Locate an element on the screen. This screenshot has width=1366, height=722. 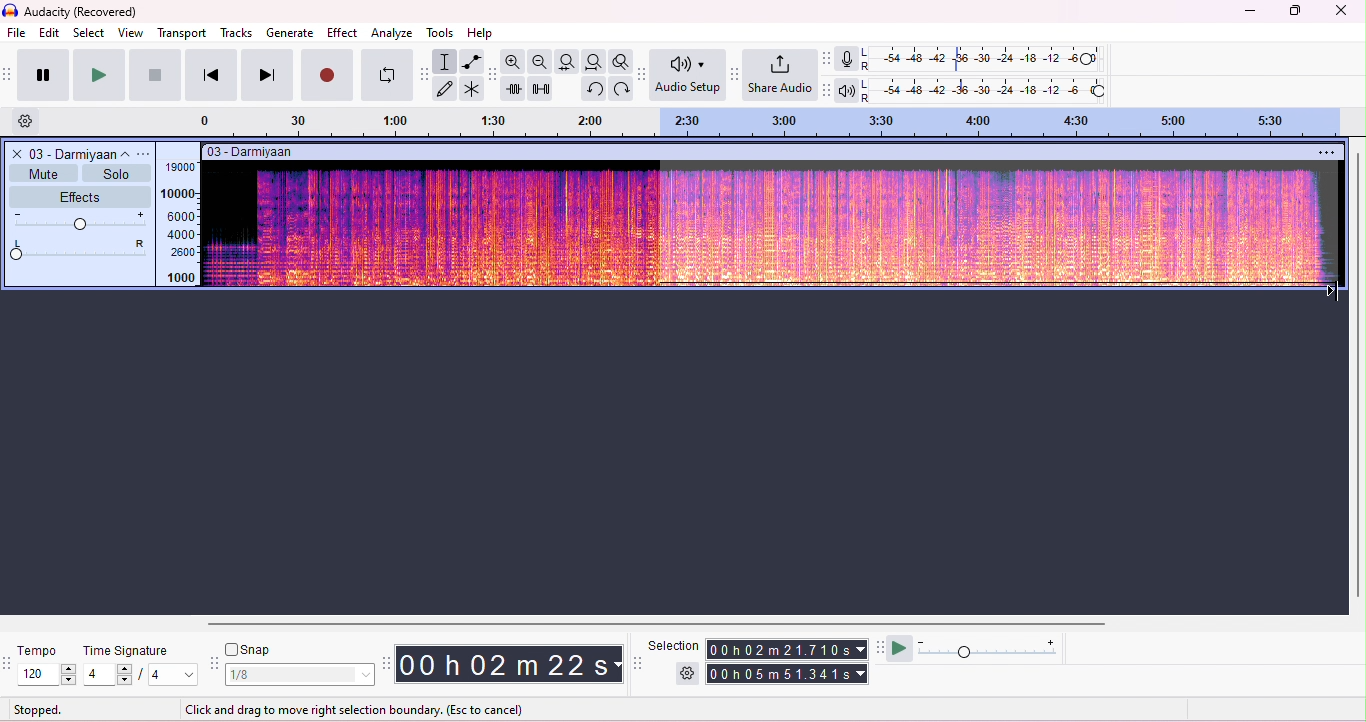
mute is located at coordinates (42, 173).